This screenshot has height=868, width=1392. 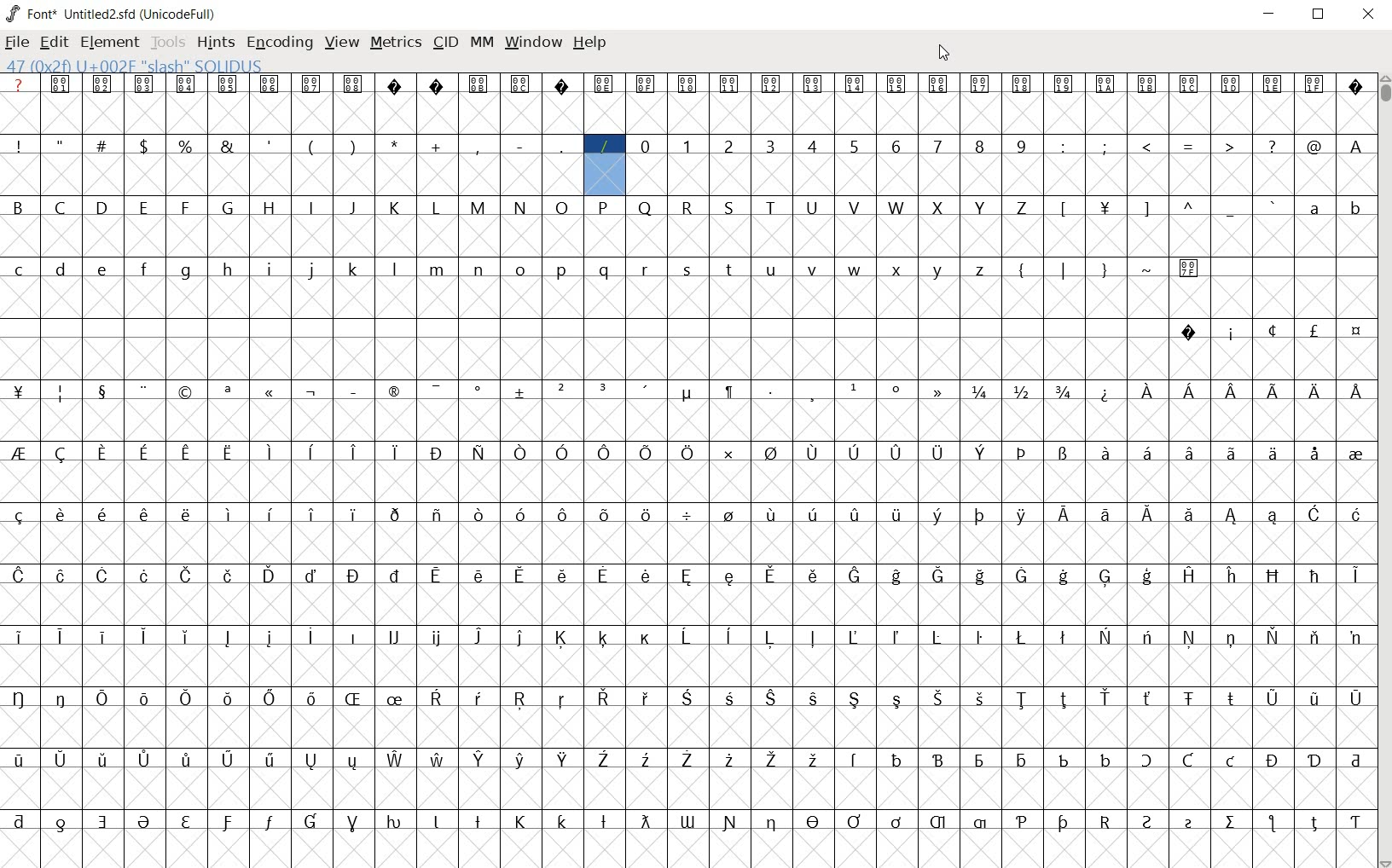 What do you see at coordinates (311, 698) in the screenshot?
I see `glyph` at bounding box center [311, 698].